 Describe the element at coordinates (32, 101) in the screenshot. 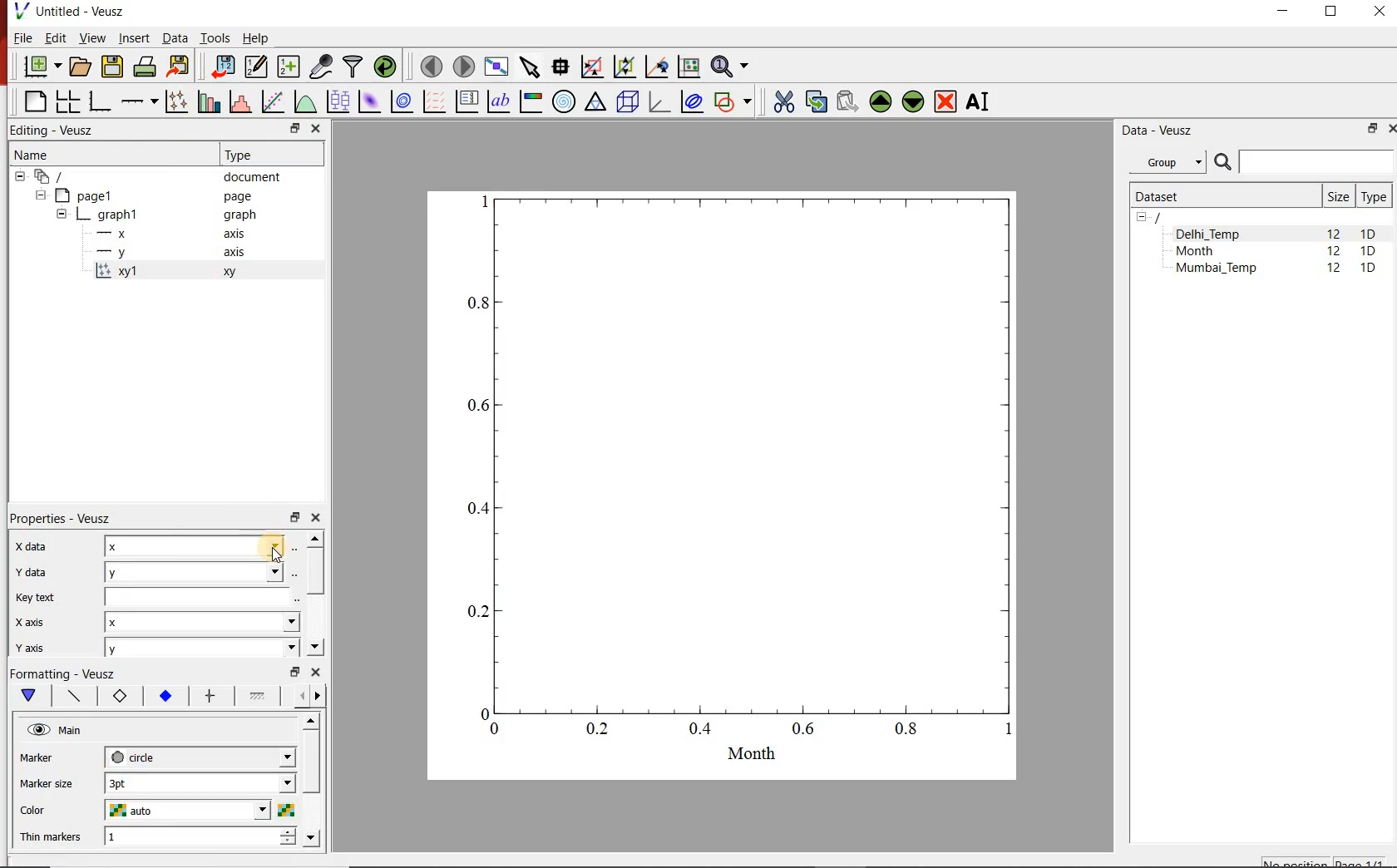

I see `blank page` at that location.